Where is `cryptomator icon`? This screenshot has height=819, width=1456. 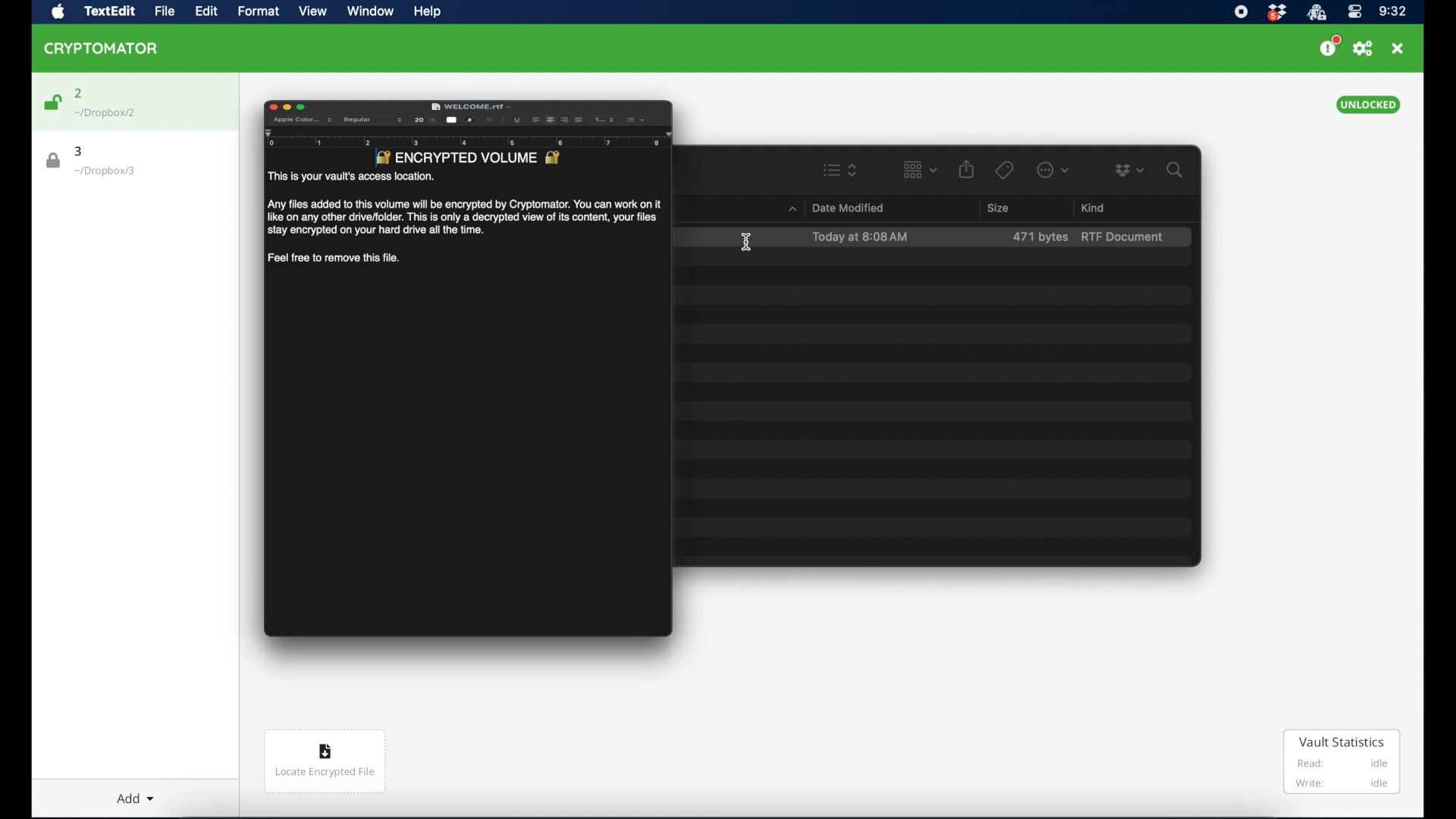
cryptomator icon is located at coordinates (102, 49).